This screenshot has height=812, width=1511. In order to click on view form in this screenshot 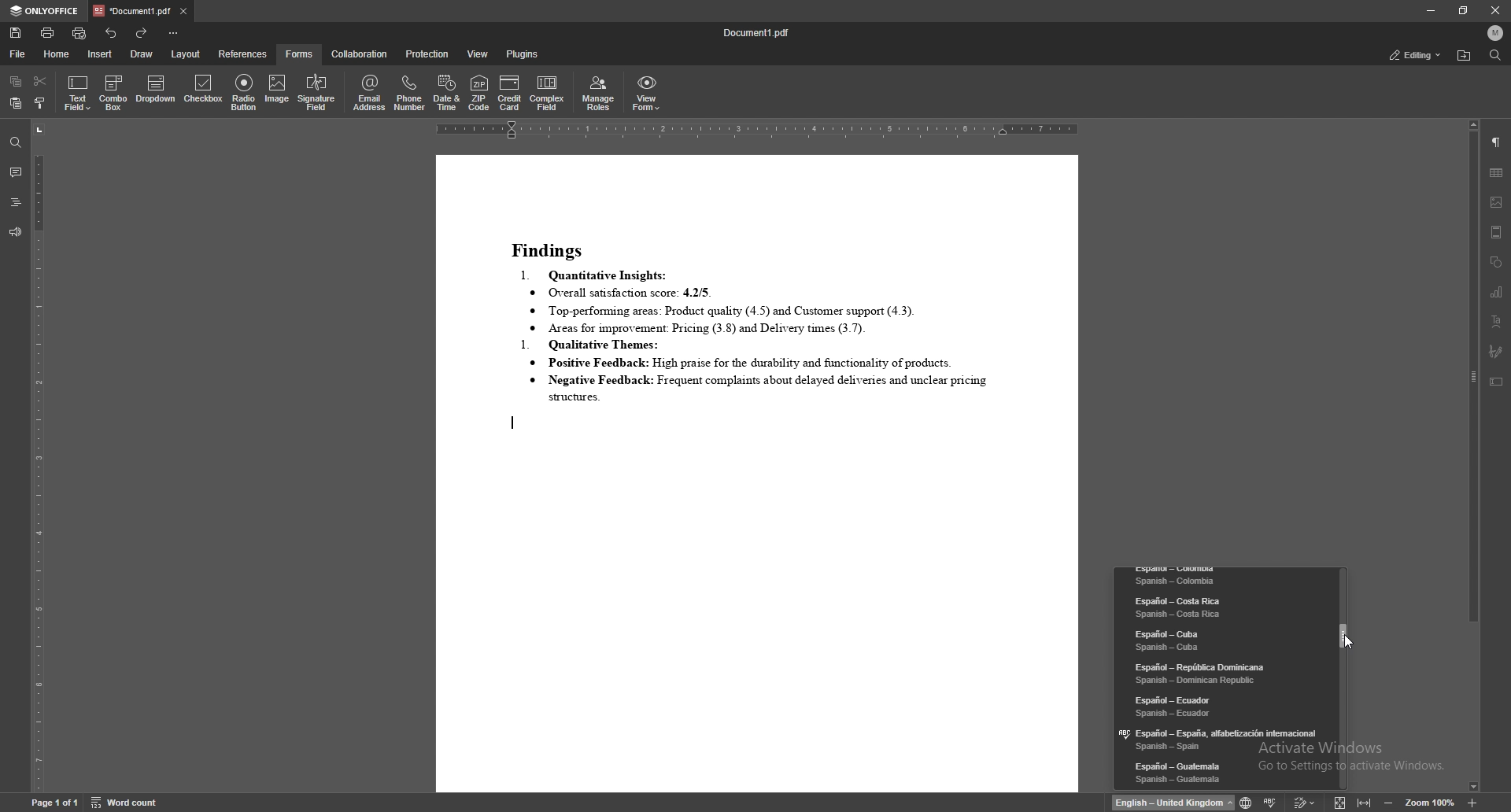, I will do `click(647, 94)`.